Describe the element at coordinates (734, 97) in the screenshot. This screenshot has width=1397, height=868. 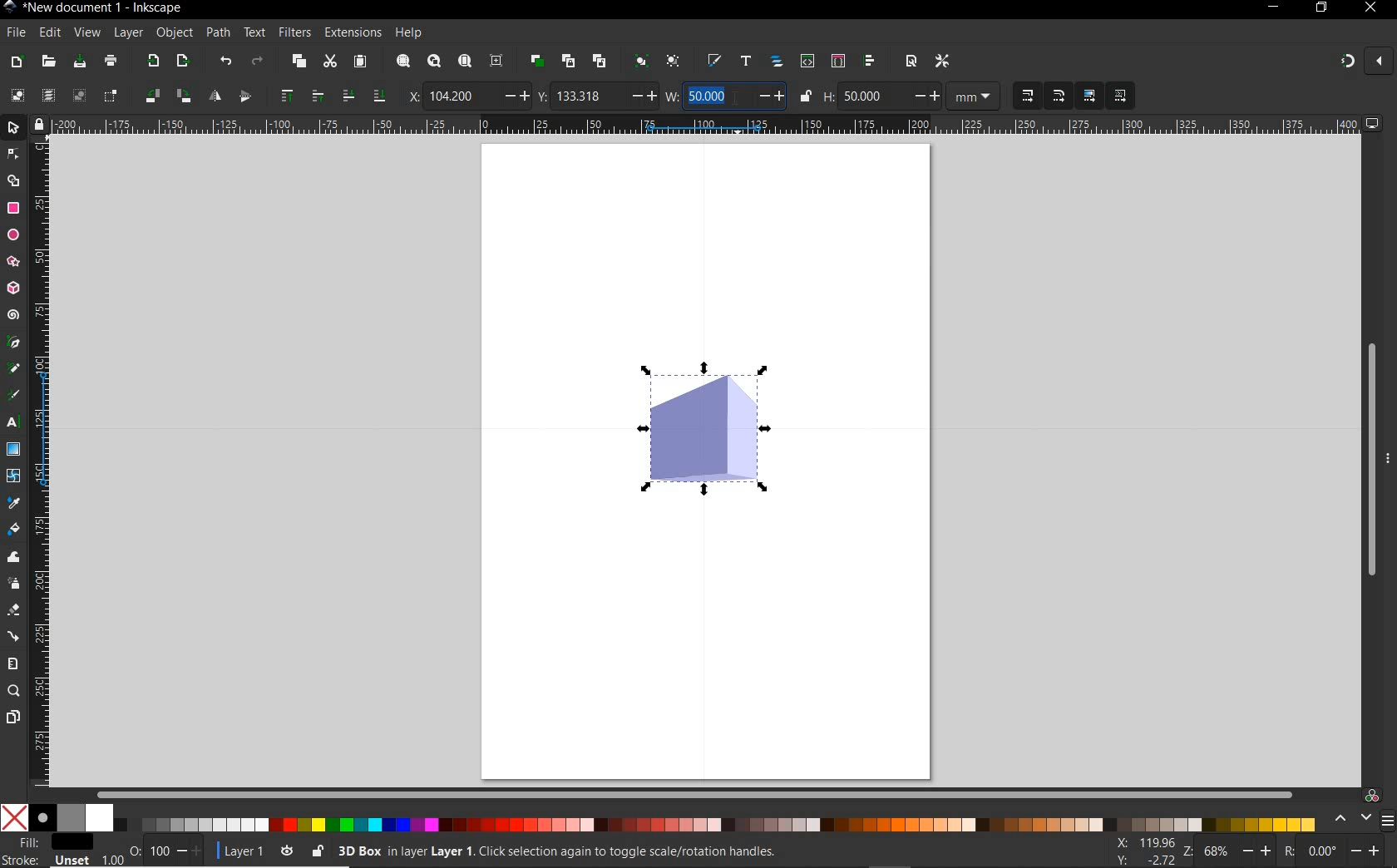
I see `cursor` at that location.